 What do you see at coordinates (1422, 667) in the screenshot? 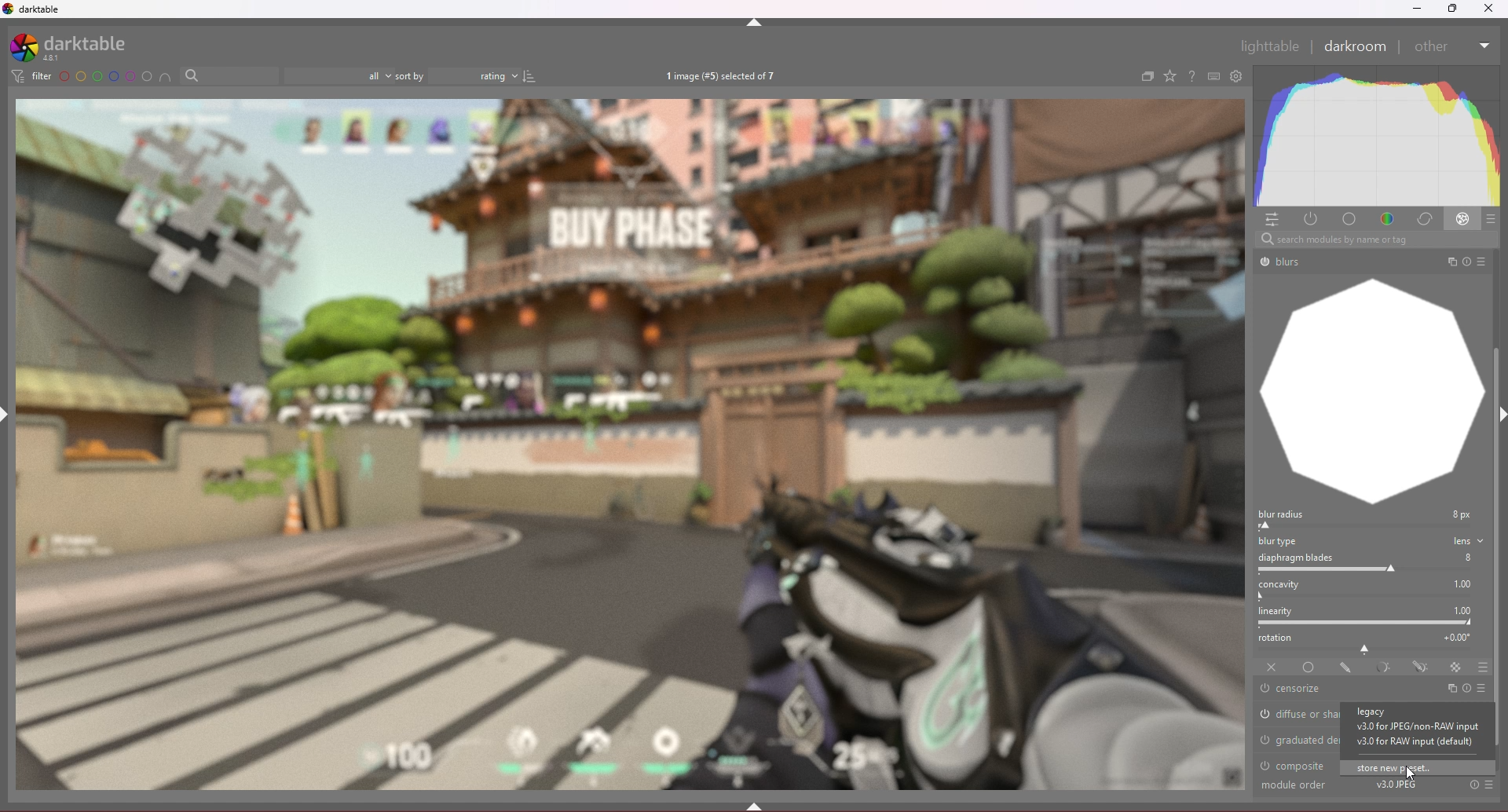
I see `drawn and parametric mask` at bounding box center [1422, 667].